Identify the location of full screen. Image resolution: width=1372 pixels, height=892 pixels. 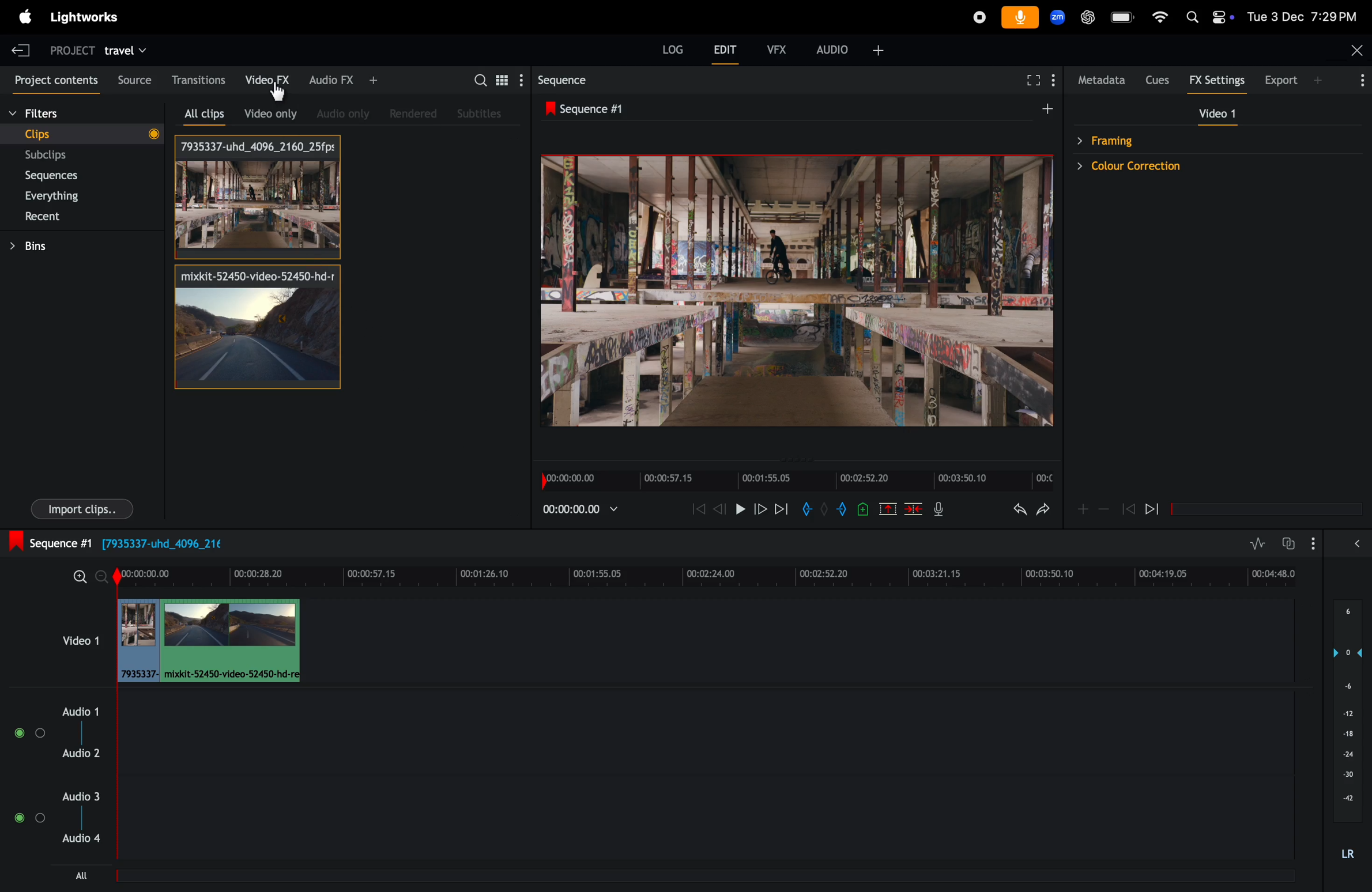
(1034, 80).